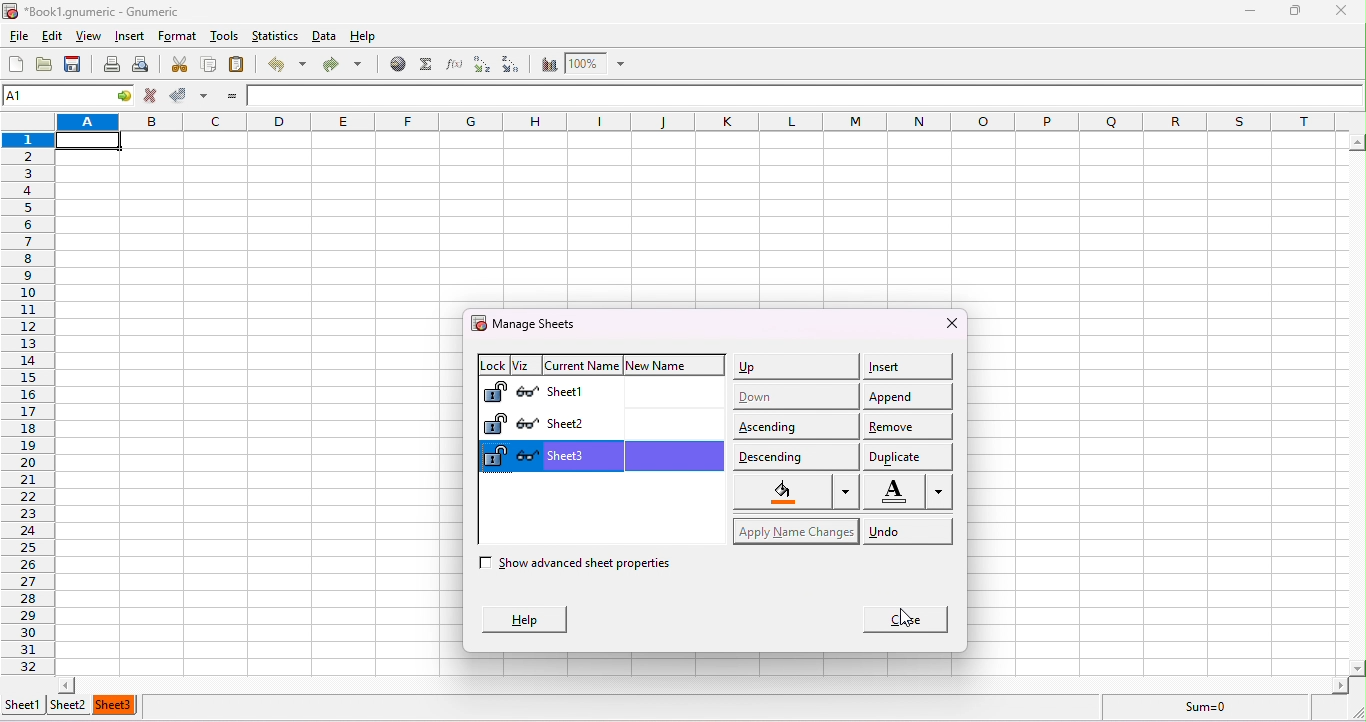  I want to click on *Book1.gnumeric - numeric, so click(99, 12).